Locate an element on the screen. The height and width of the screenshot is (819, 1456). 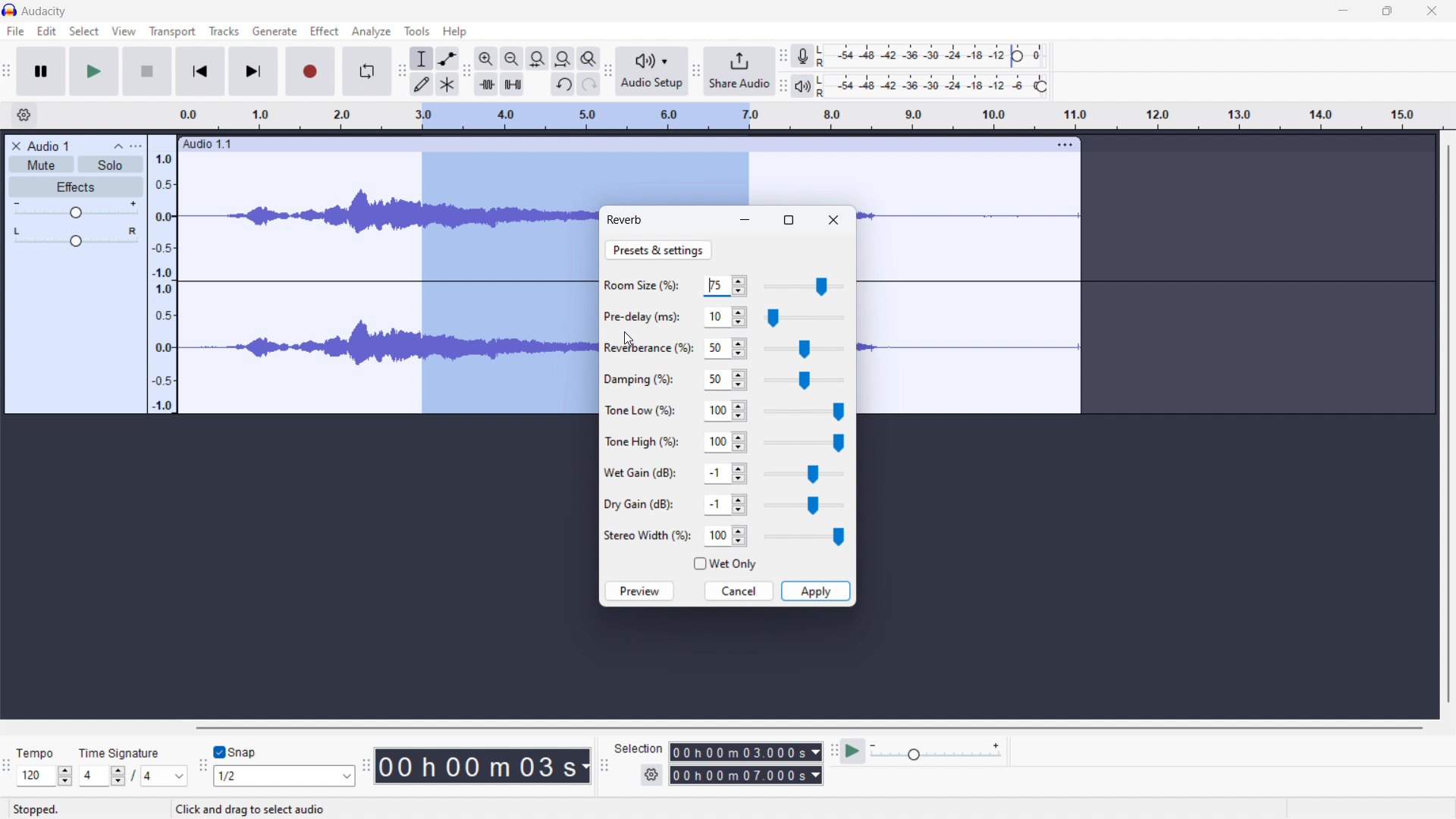
4 is located at coordinates (165, 777).